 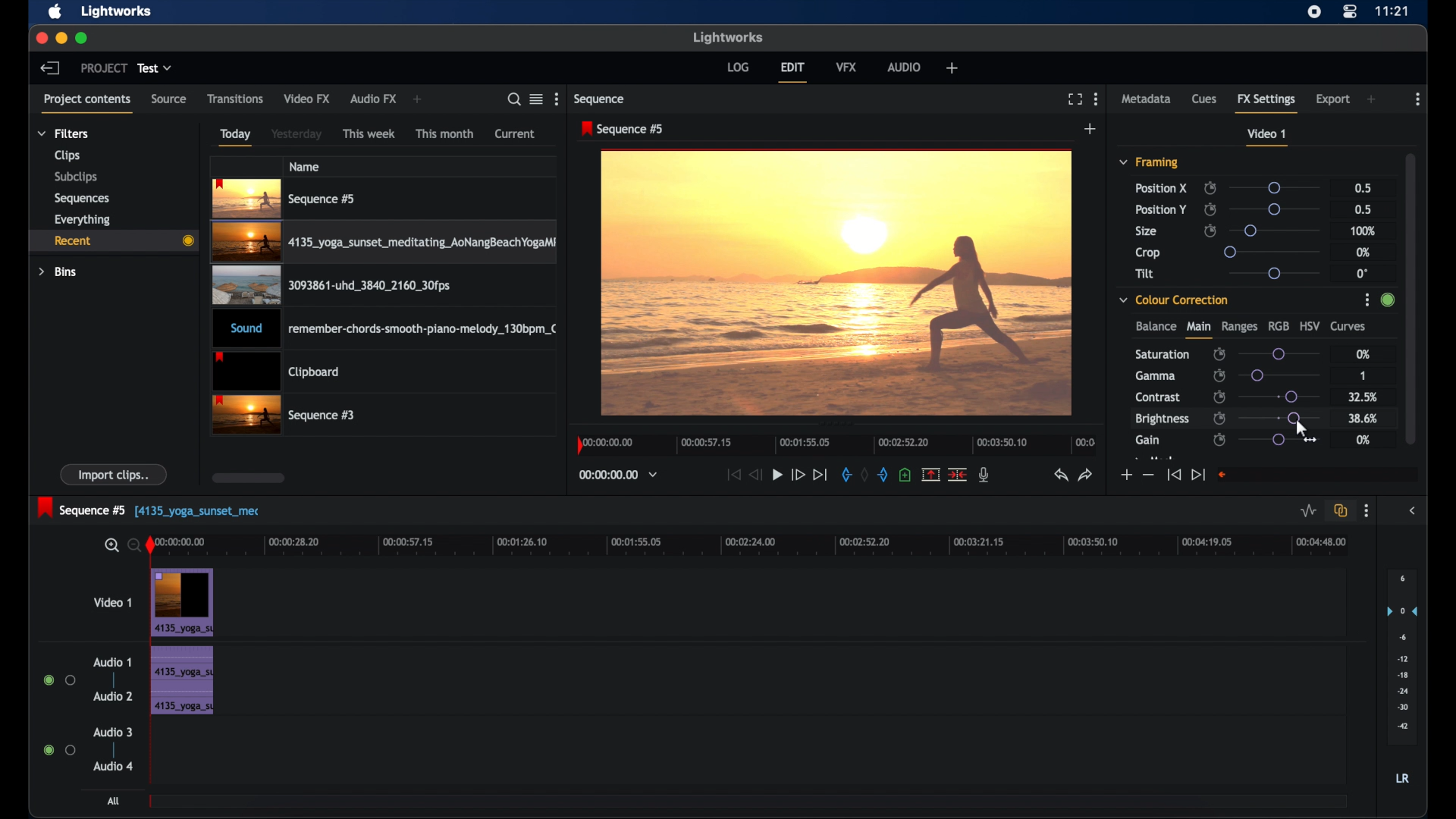 I want to click on jump to end, so click(x=820, y=475).